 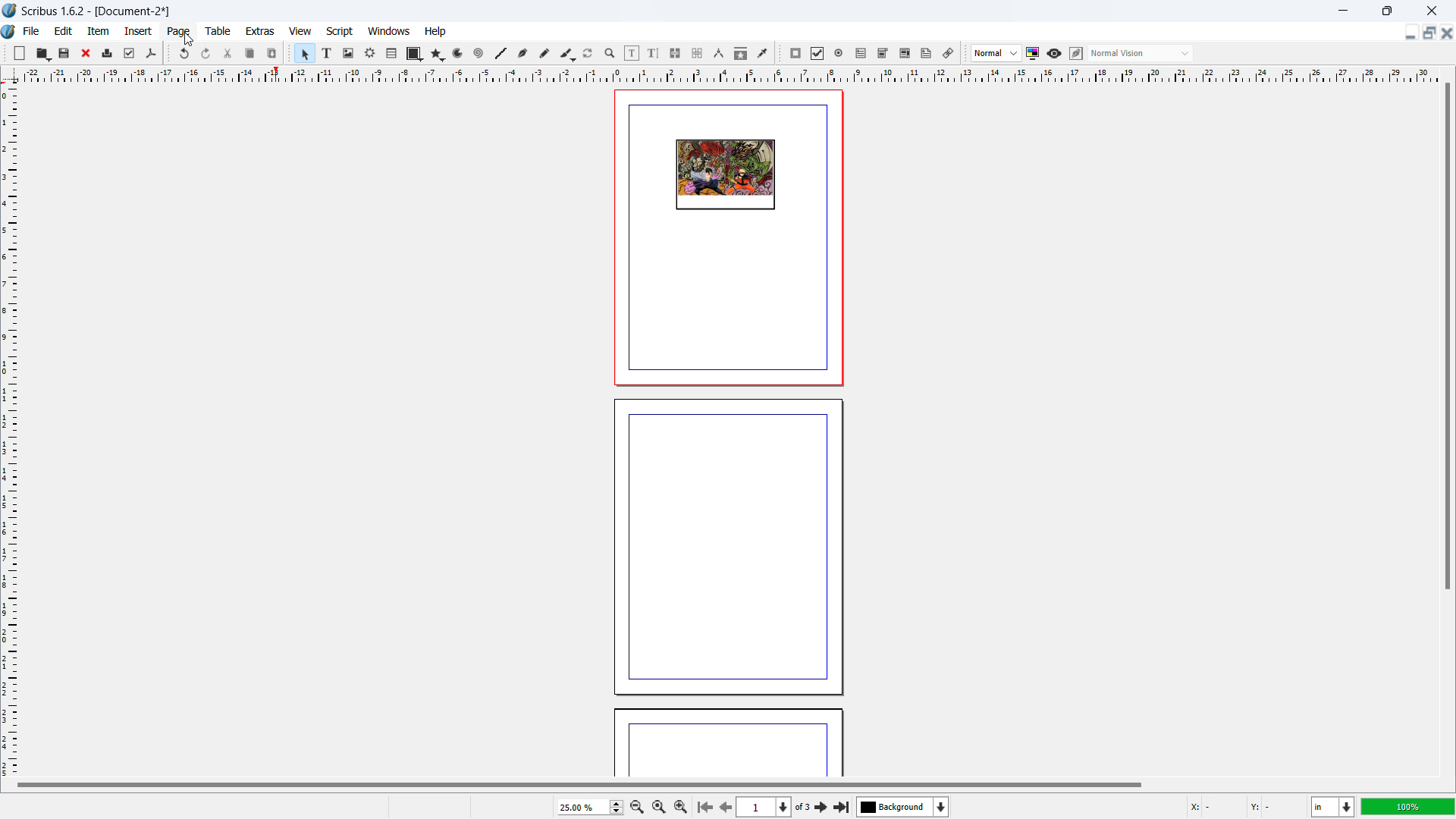 What do you see at coordinates (522, 54) in the screenshot?
I see `bezier curve` at bounding box center [522, 54].